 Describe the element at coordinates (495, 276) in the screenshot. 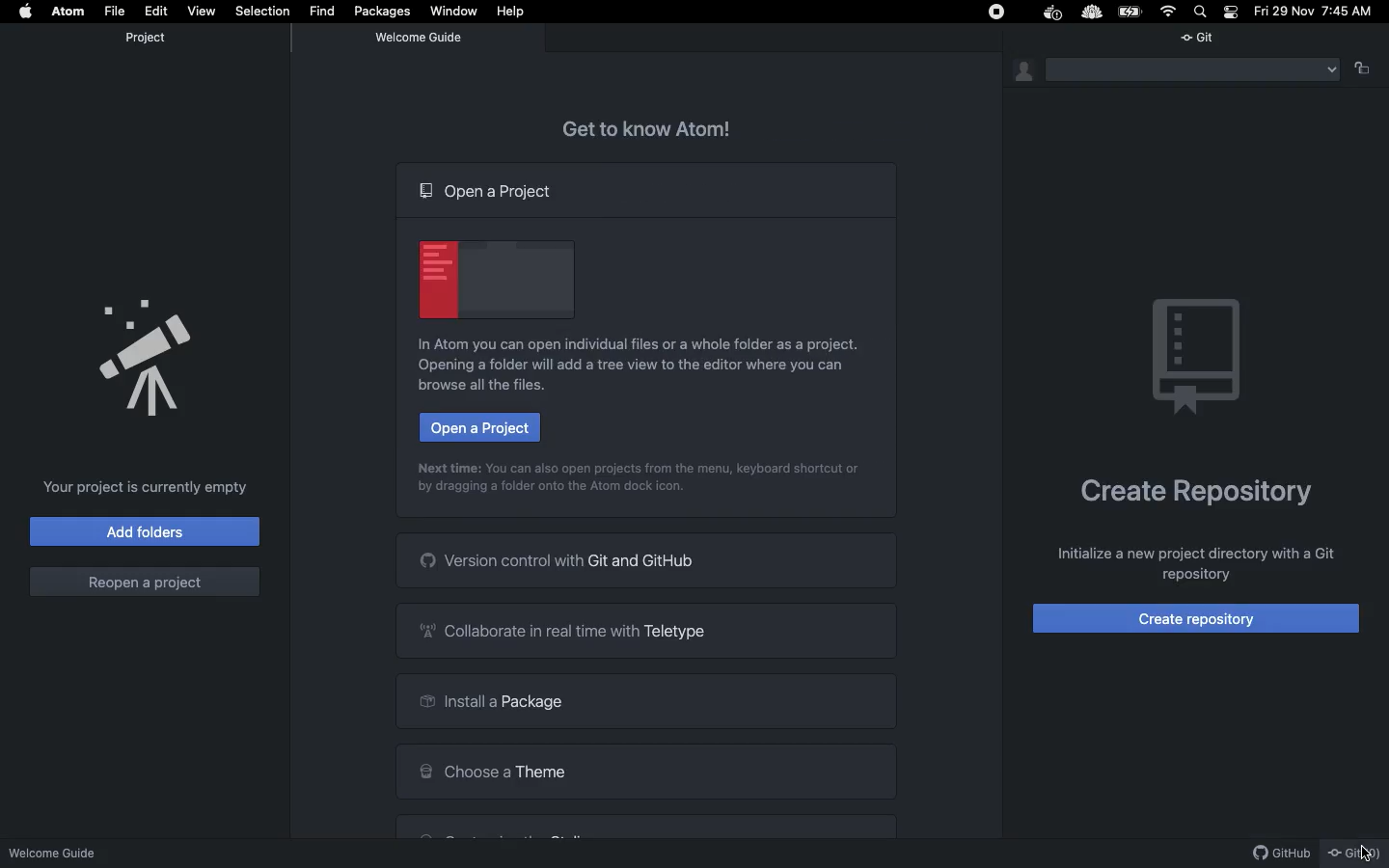

I see `Emblem` at that location.